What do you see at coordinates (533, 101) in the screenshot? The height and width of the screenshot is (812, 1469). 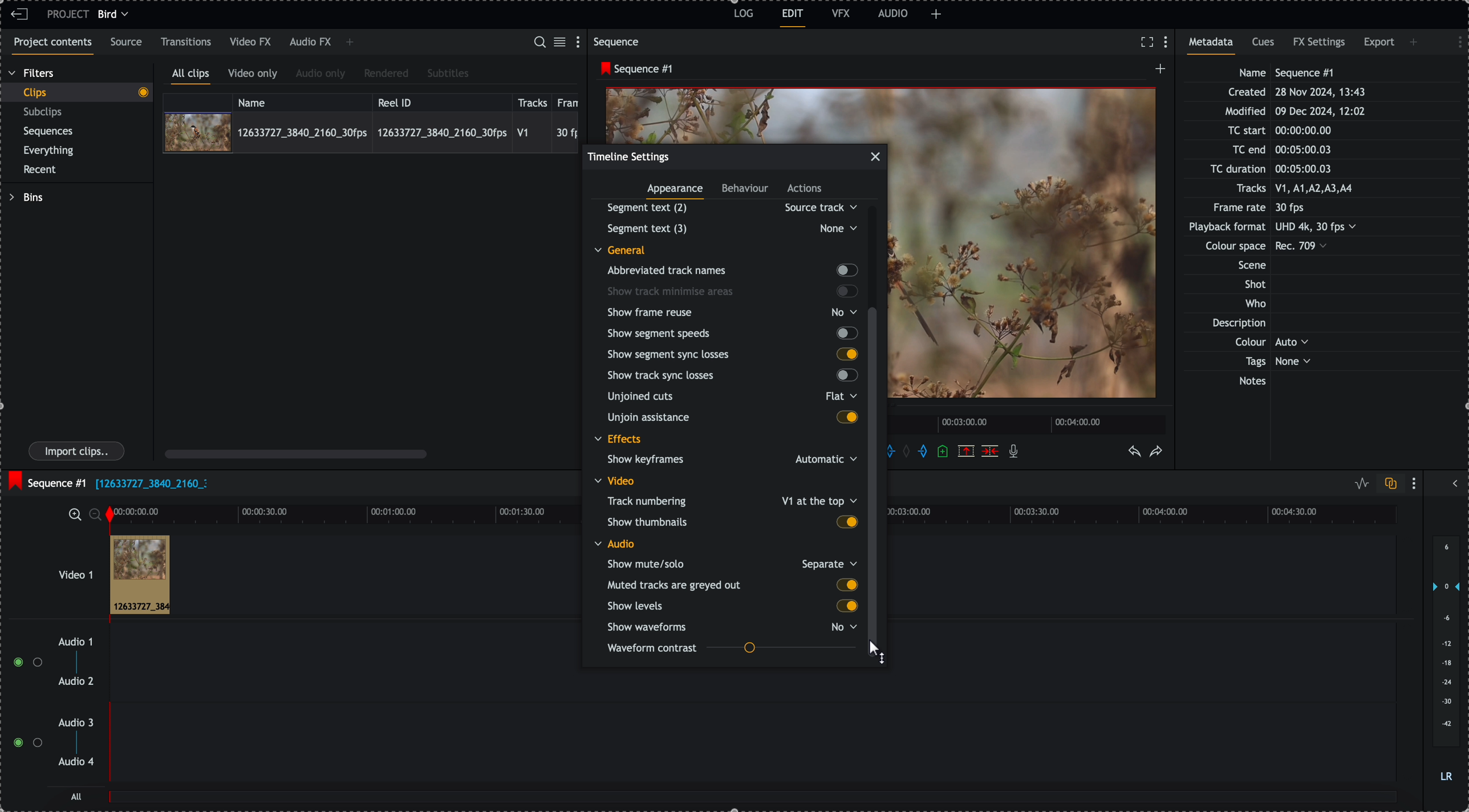 I see `tracks` at bounding box center [533, 101].